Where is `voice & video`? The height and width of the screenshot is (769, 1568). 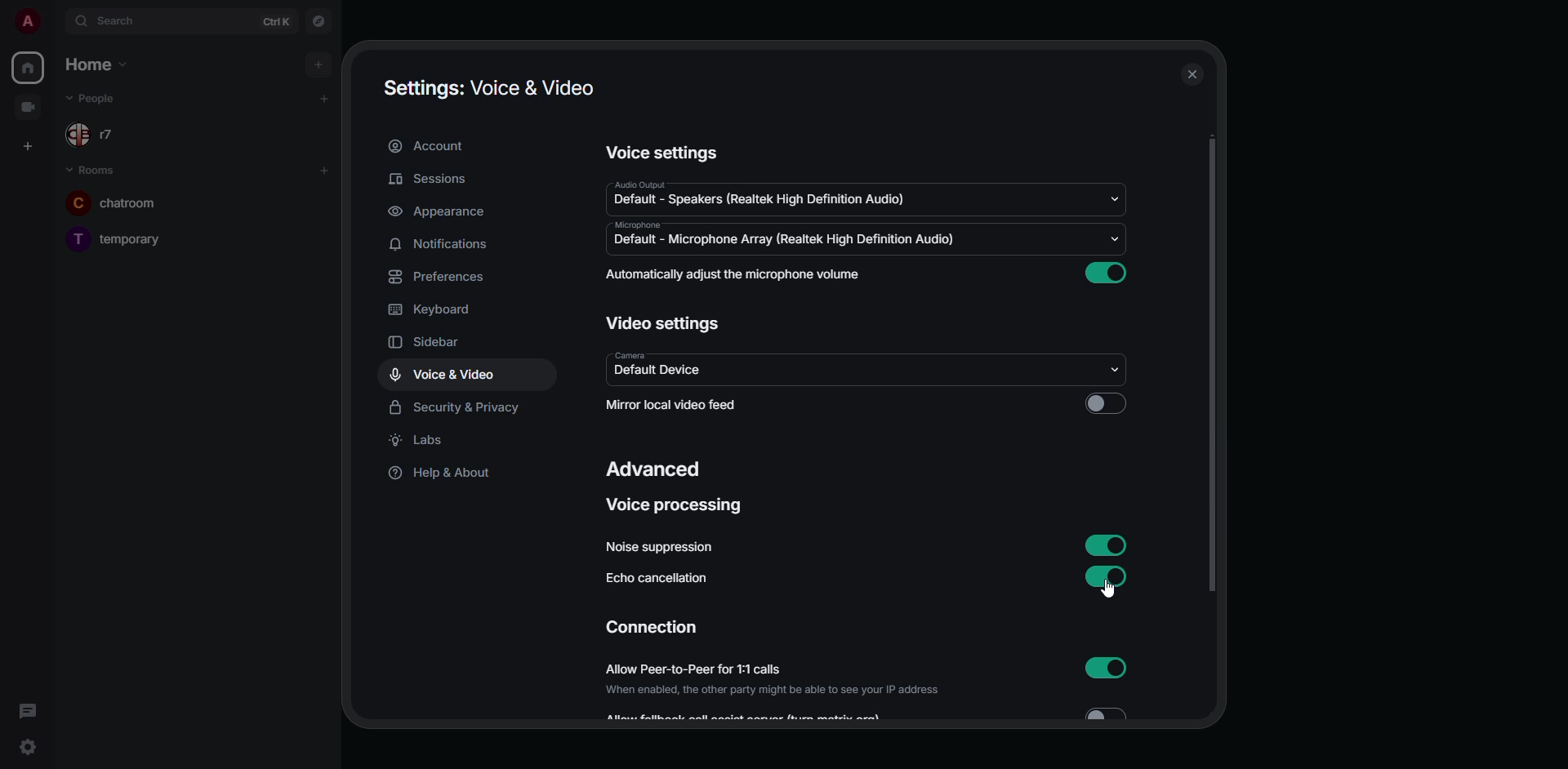
voice & video is located at coordinates (443, 376).